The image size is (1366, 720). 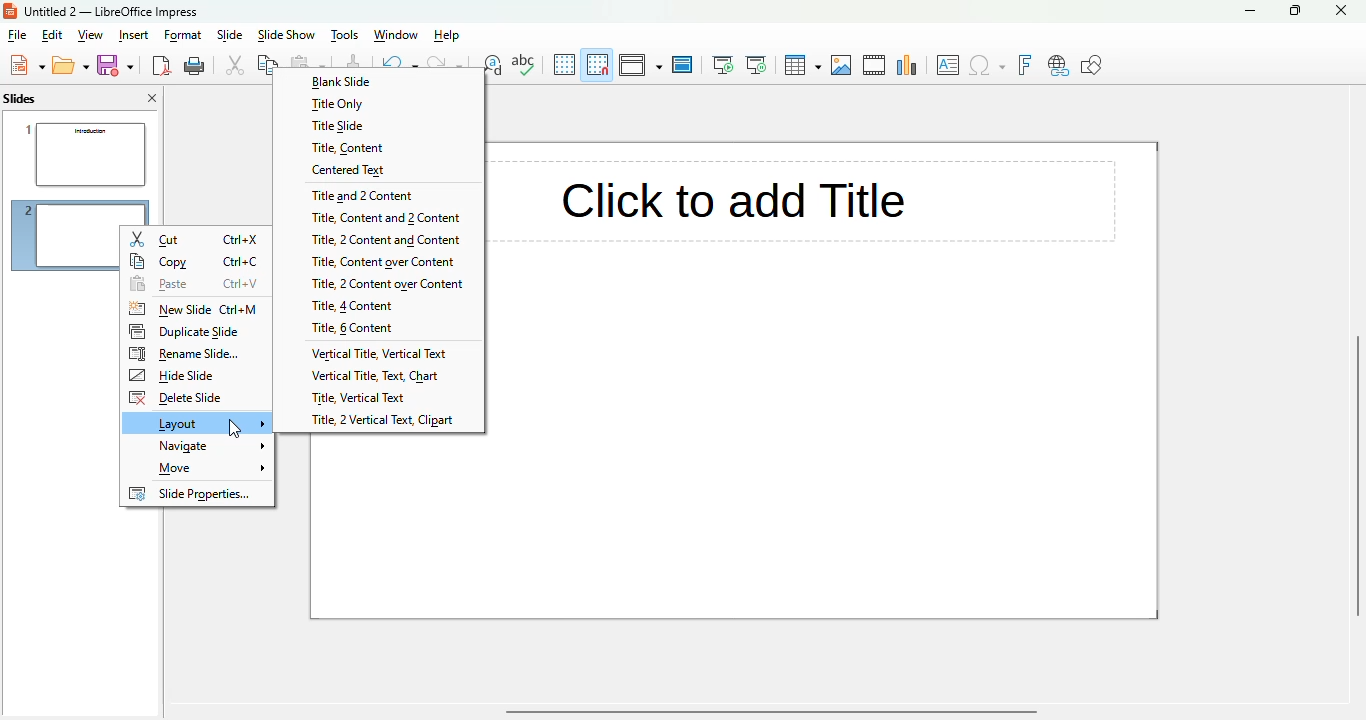 What do you see at coordinates (379, 240) in the screenshot?
I see `title, 2 content and content` at bounding box center [379, 240].